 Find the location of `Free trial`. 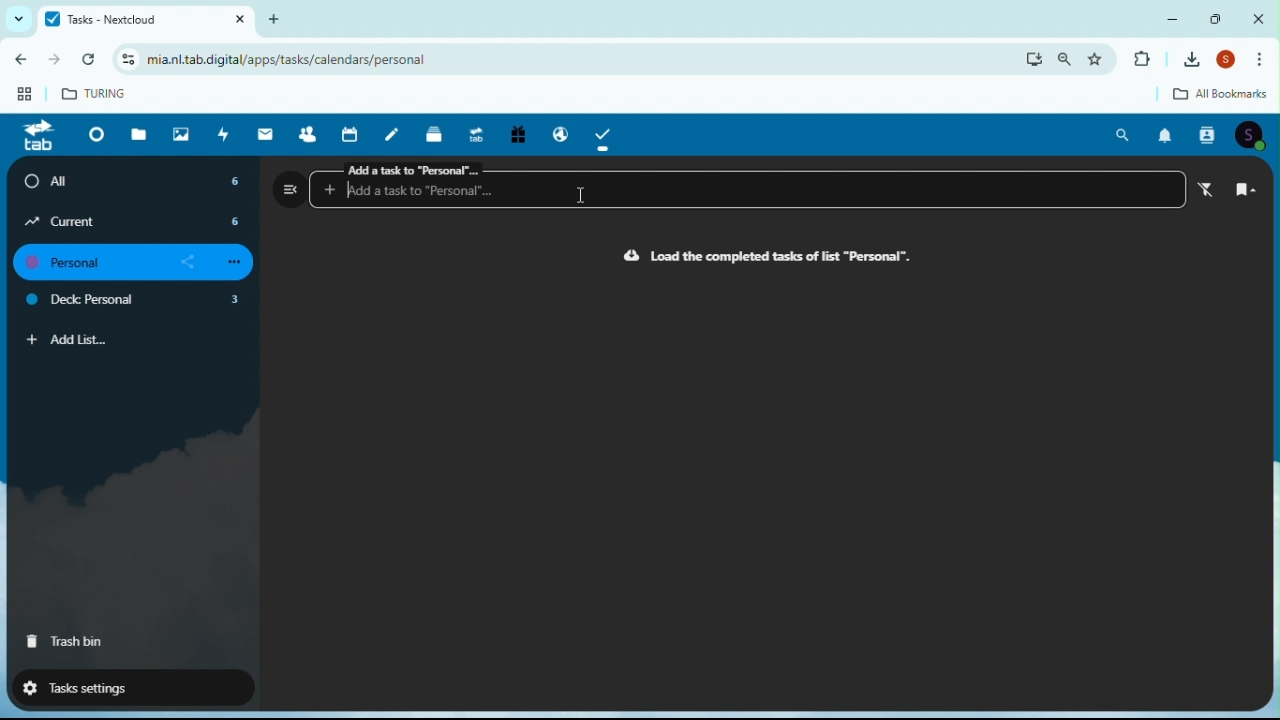

Free trial is located at coordinates (516, 136).